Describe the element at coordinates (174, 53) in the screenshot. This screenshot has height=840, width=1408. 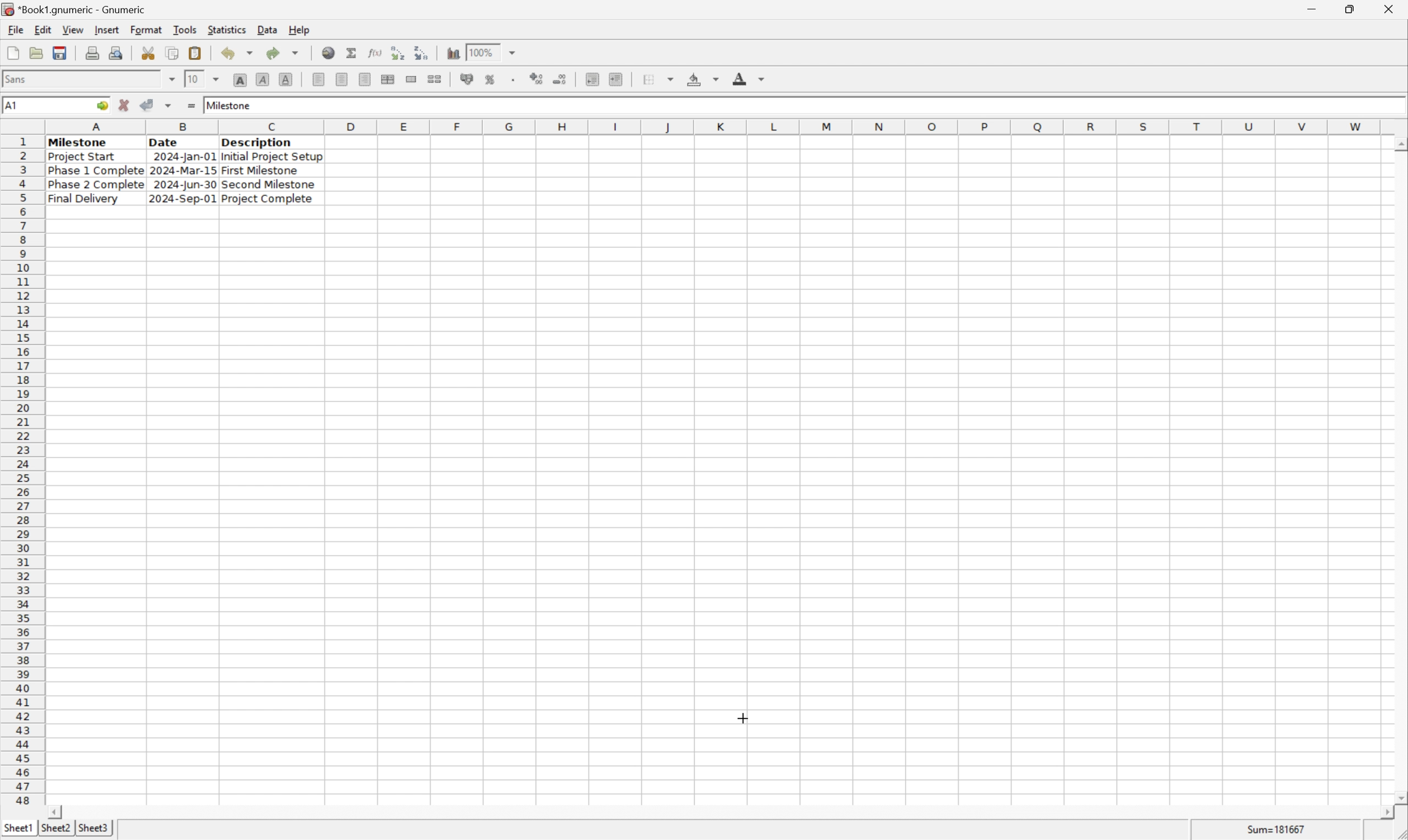
I see `copy from selection` at that location.